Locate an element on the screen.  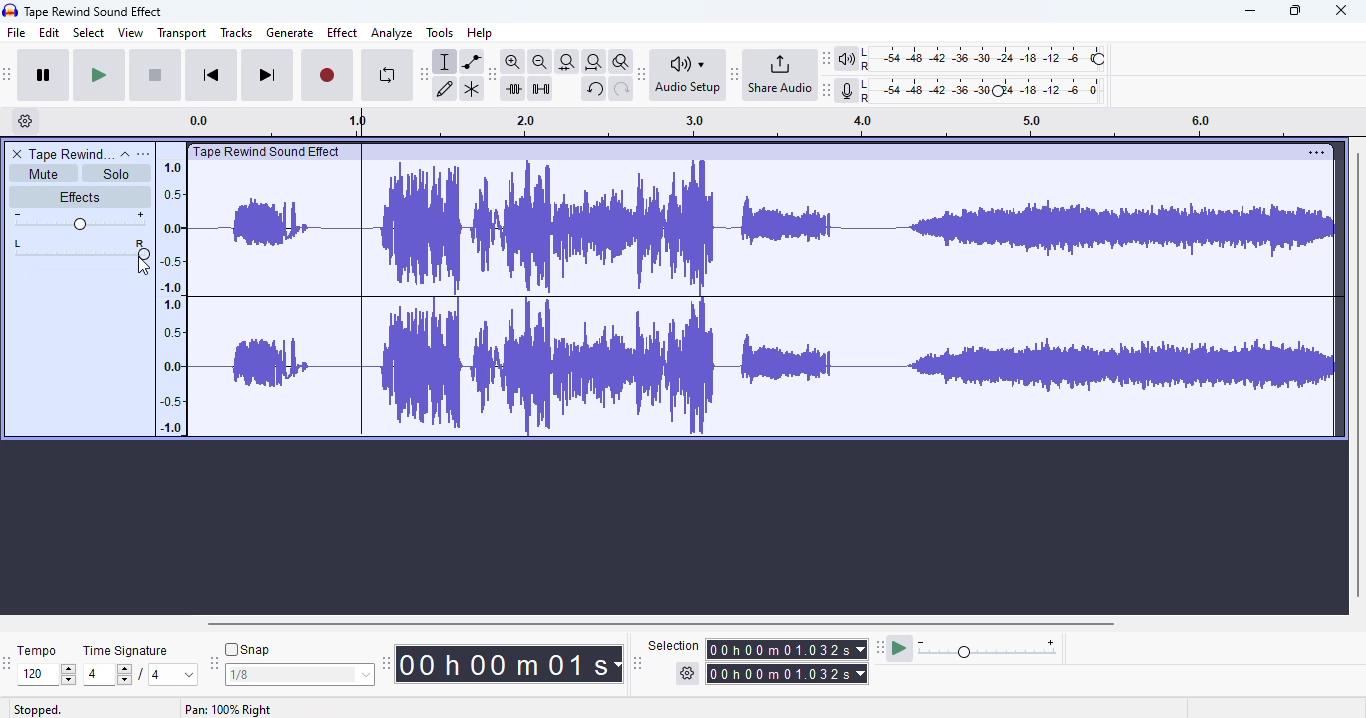
effects is located at coordinates (79, 196).